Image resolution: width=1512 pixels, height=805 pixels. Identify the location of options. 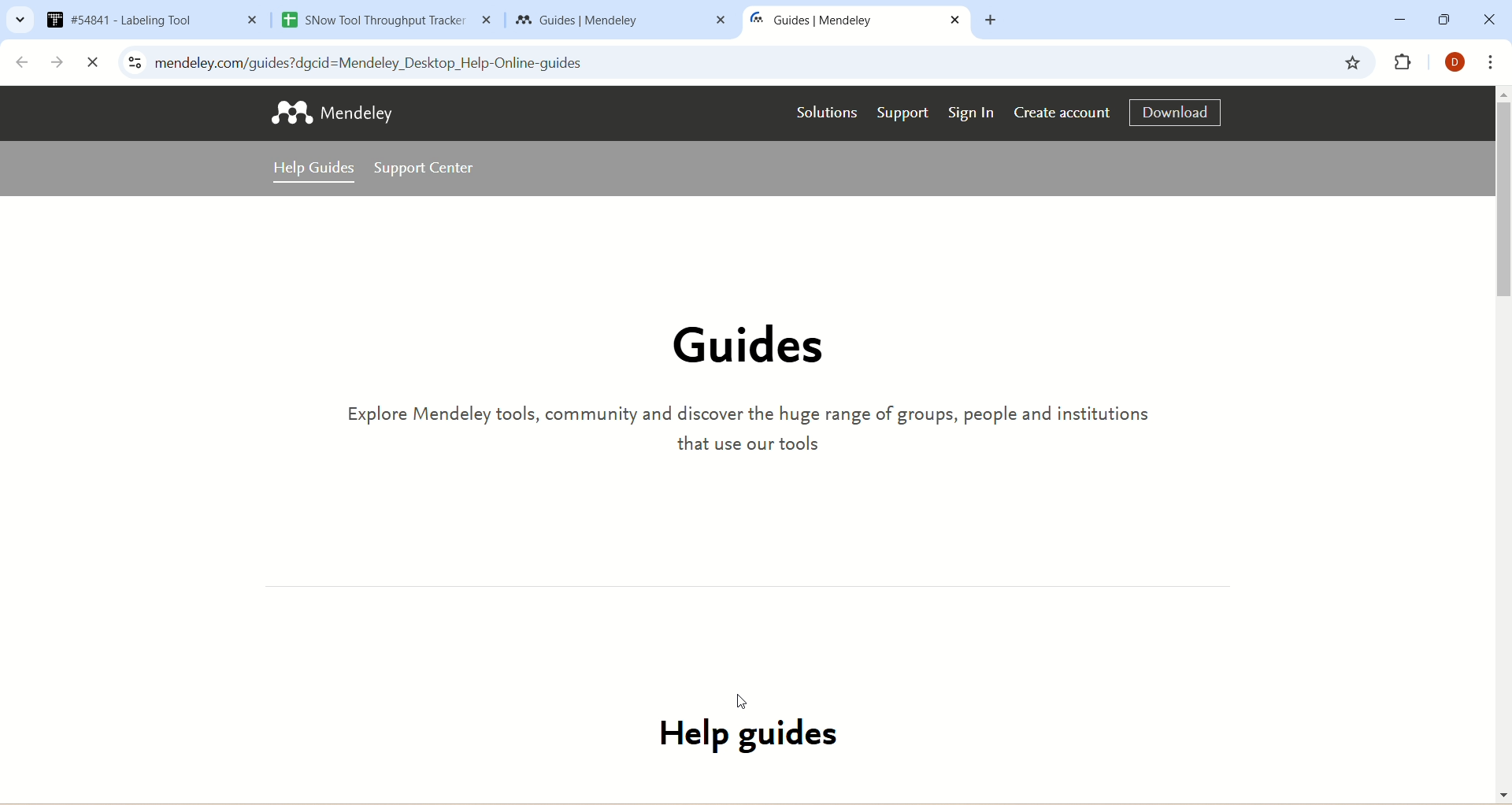
(1492, 65).